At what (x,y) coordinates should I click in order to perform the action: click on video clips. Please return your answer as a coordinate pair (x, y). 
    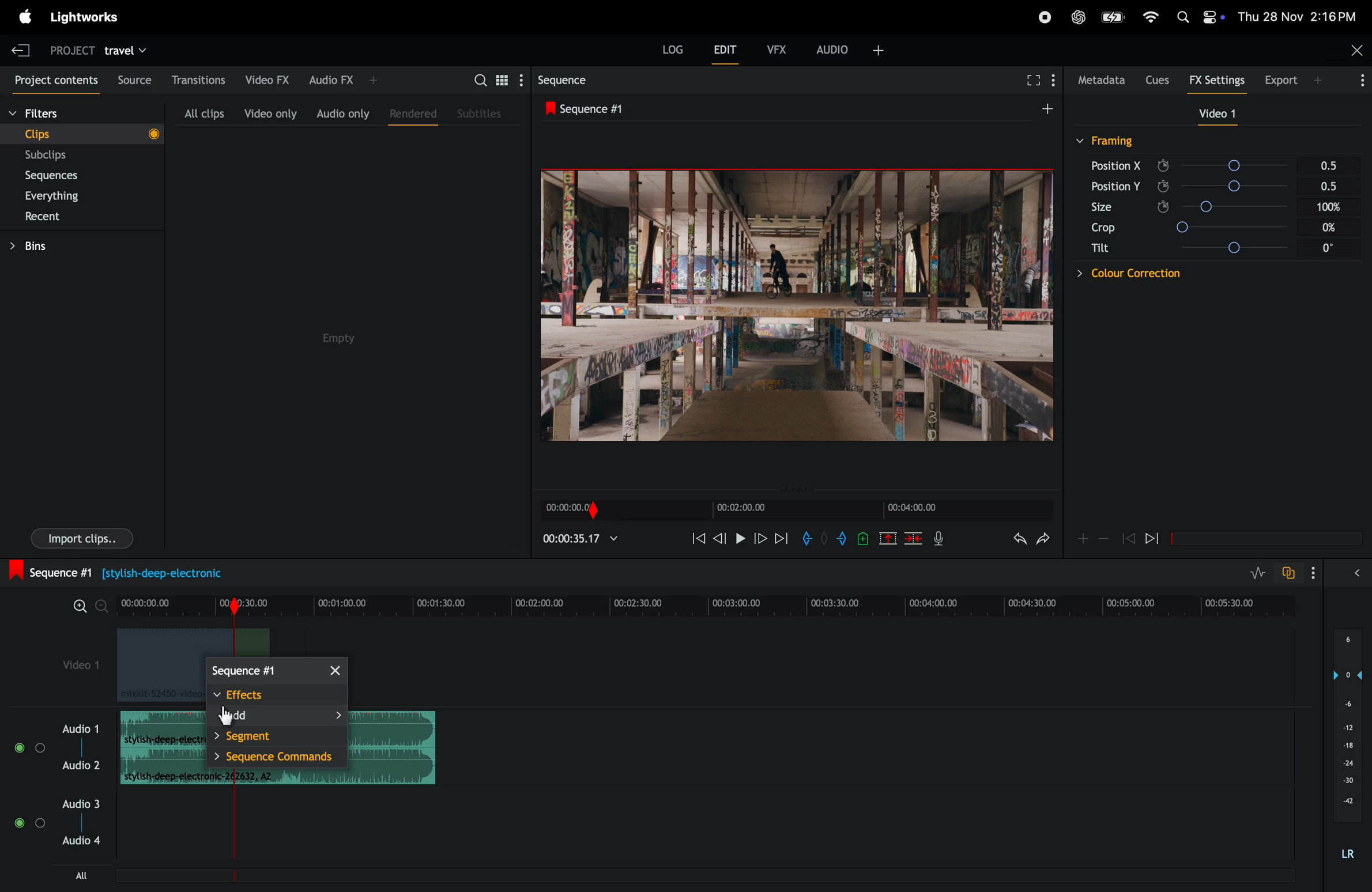
    Looking at the image, I should click on (153, 665).